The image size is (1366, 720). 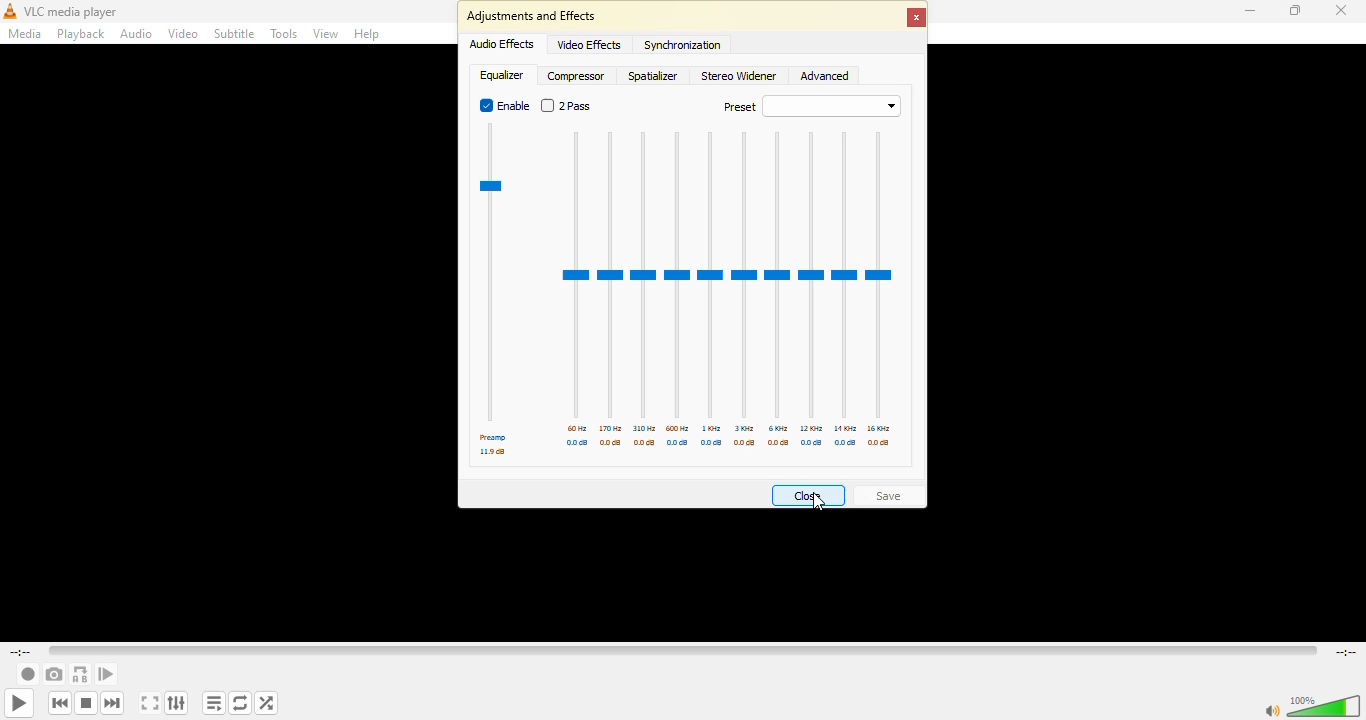 What do you see at coordinates (517, 106) in the screenshot?
I see `enable` at bounding box center [517, 106].